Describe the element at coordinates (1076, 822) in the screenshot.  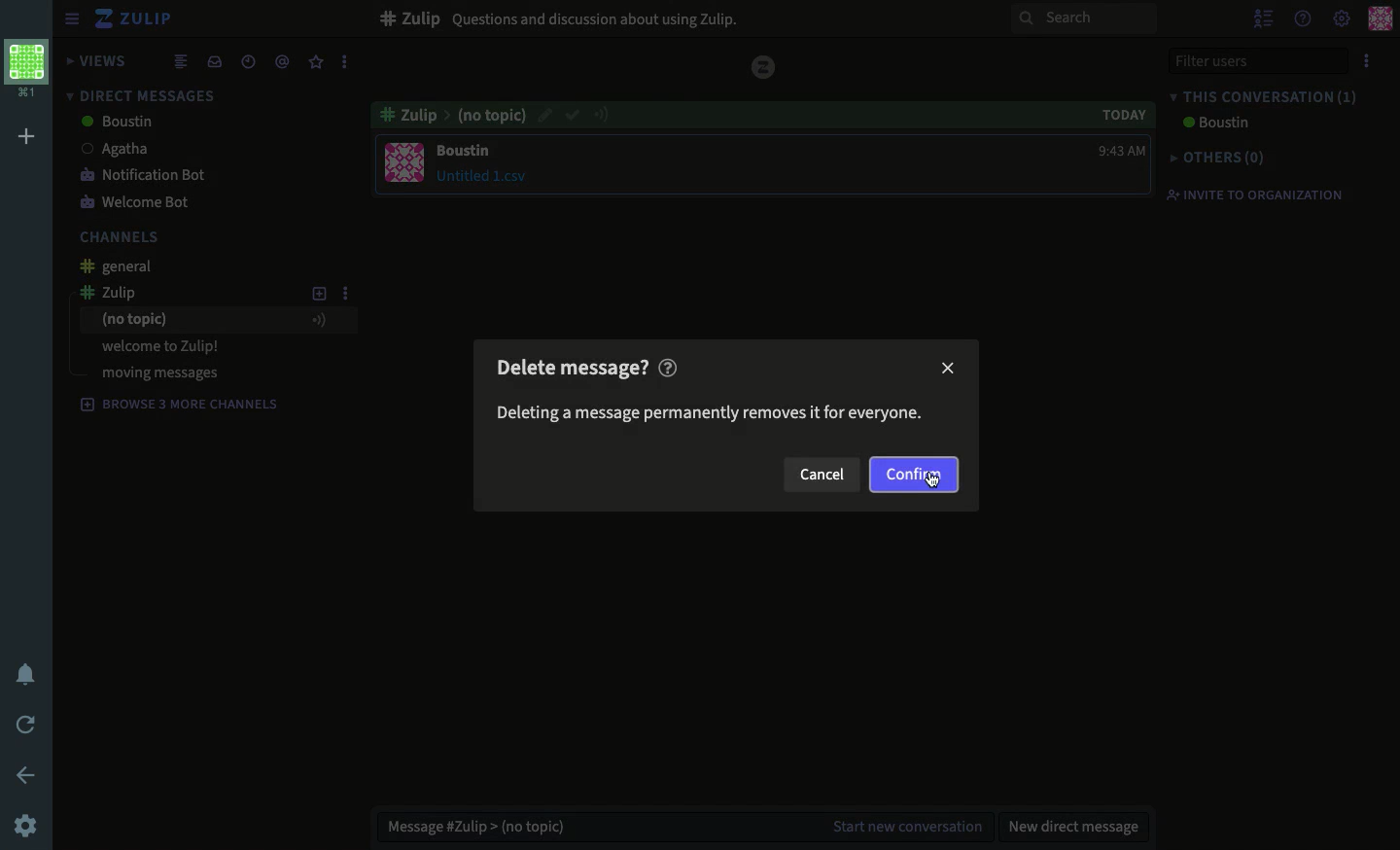
I see `new direct message ` at that location.